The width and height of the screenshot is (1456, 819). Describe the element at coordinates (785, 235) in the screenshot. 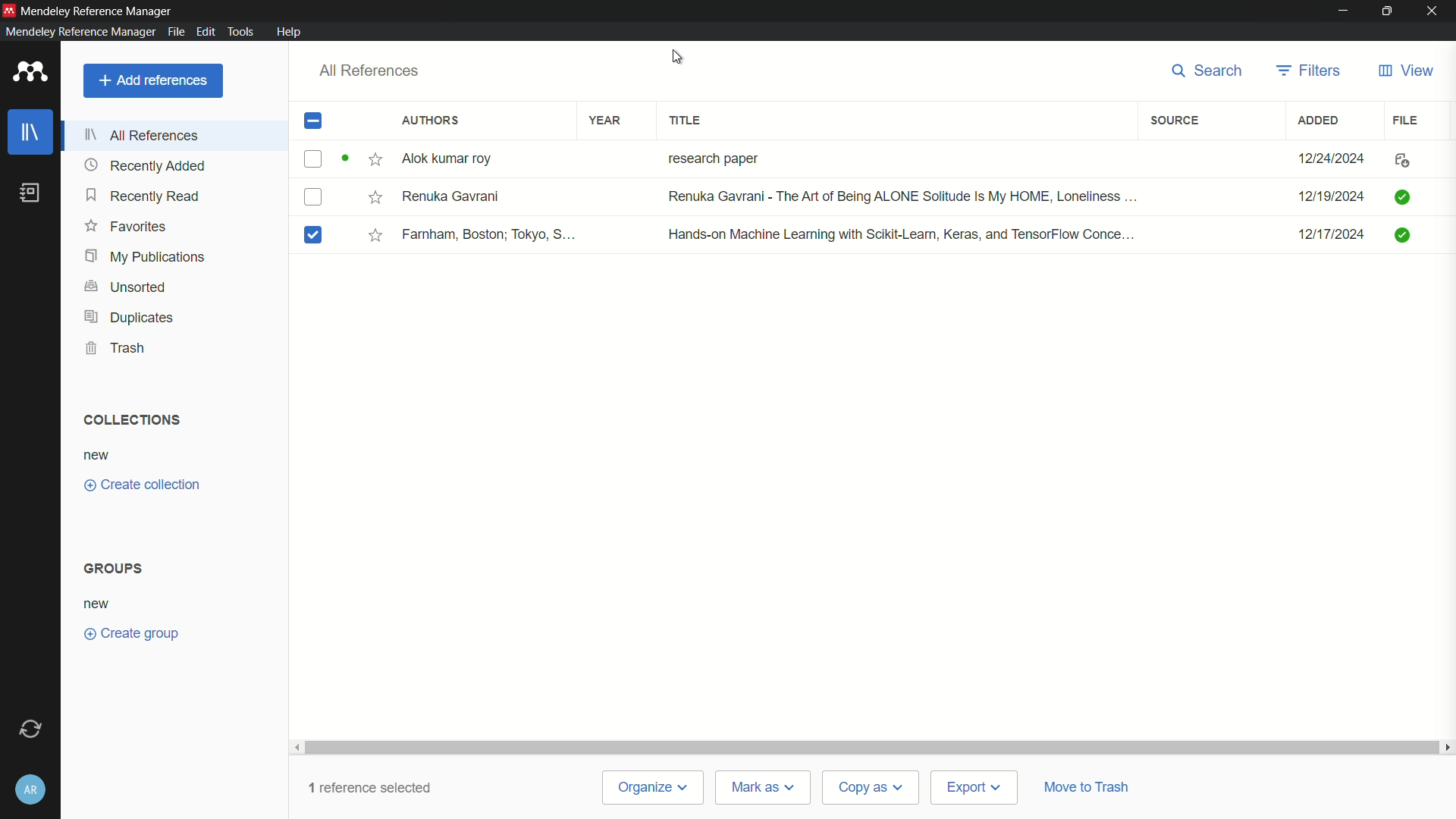

I see `Farnham, Boston; Tokyo, S... Hands-on Machine Leaming with Scikit-Leamn, Keras, and TensorFlow Conce...` at that location.